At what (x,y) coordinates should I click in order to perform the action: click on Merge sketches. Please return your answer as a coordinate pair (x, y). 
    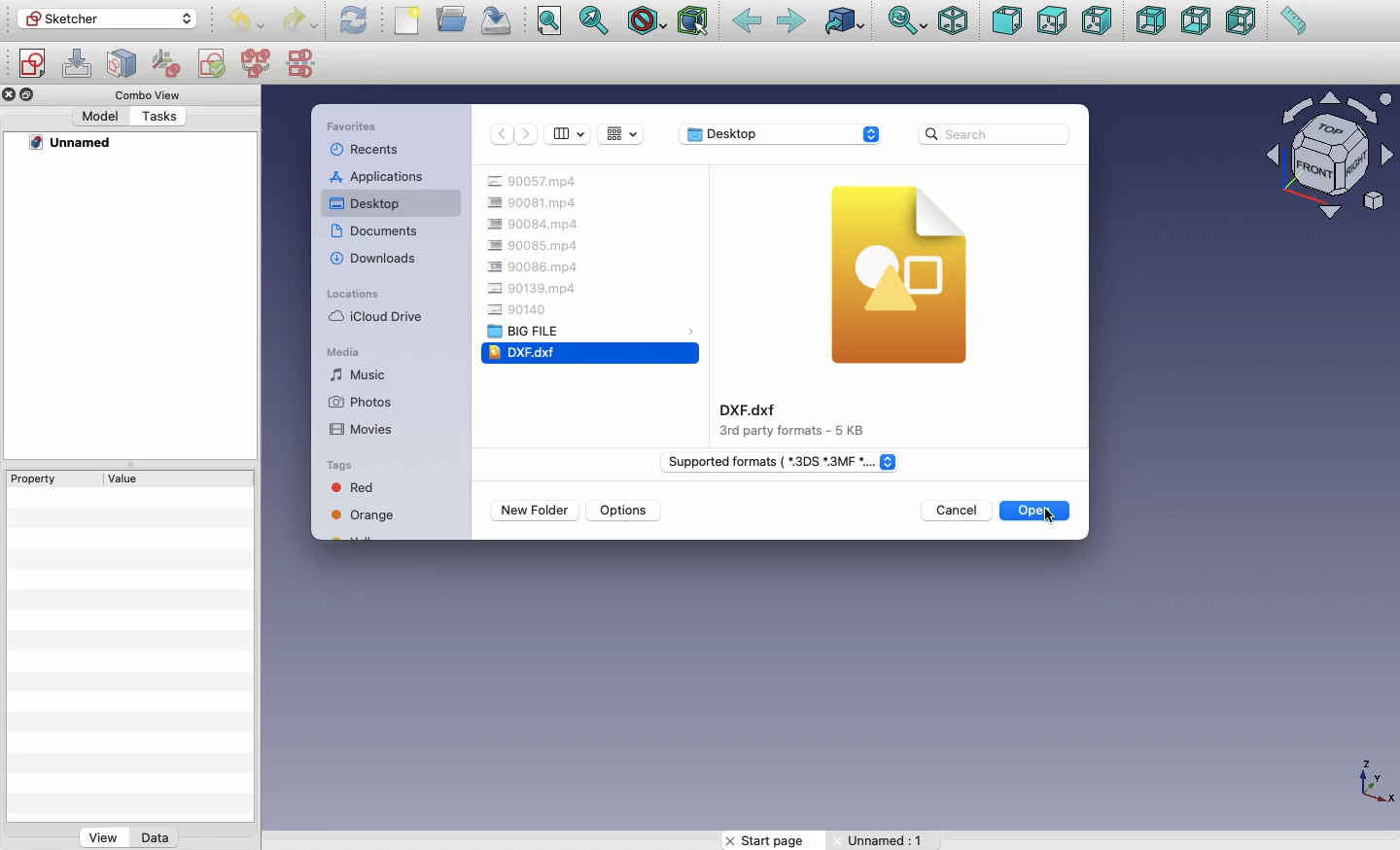
    Looking at the image, I should click on (256, 64).